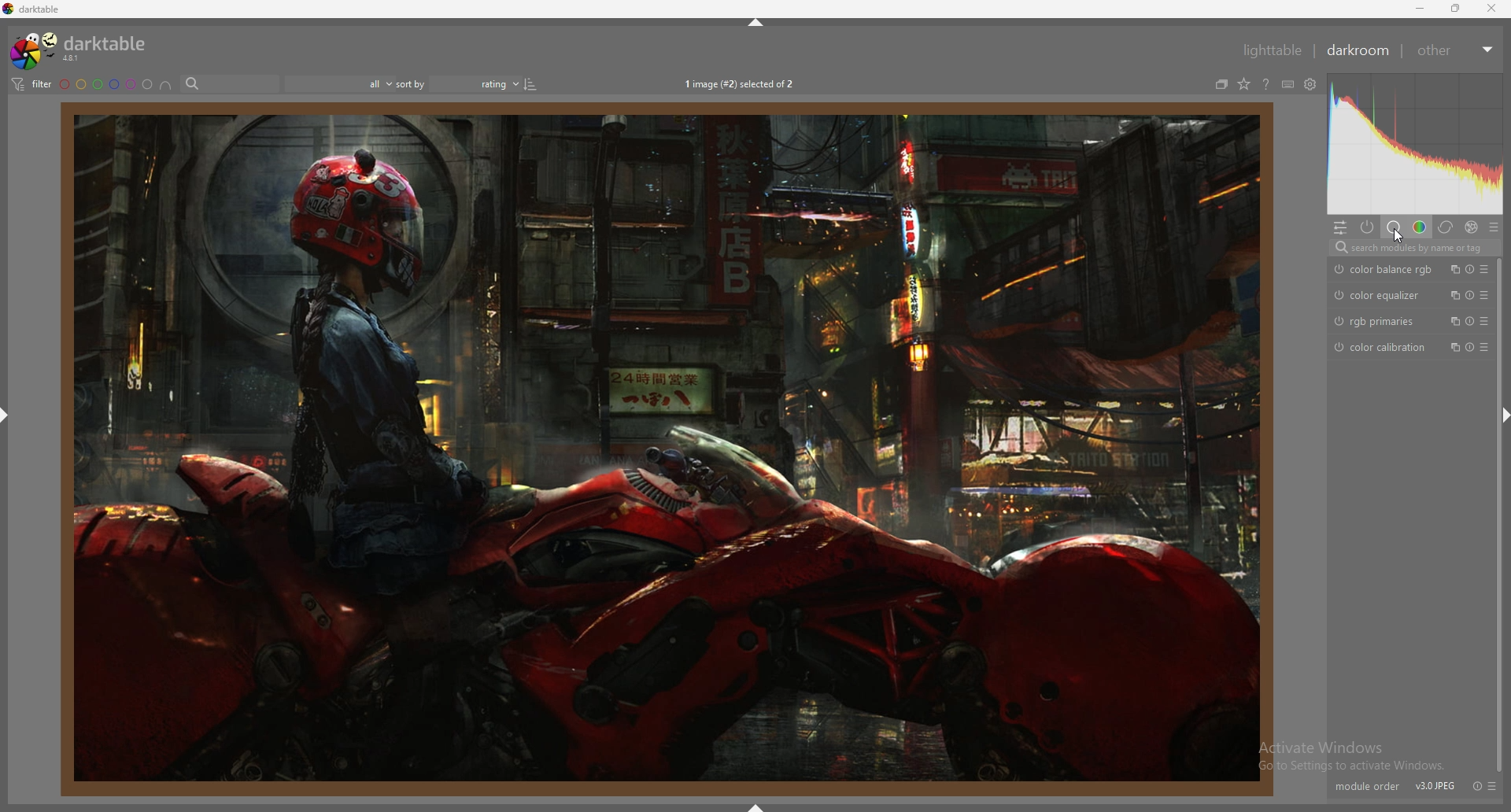  I want to click on presets, so click(1483, 347).